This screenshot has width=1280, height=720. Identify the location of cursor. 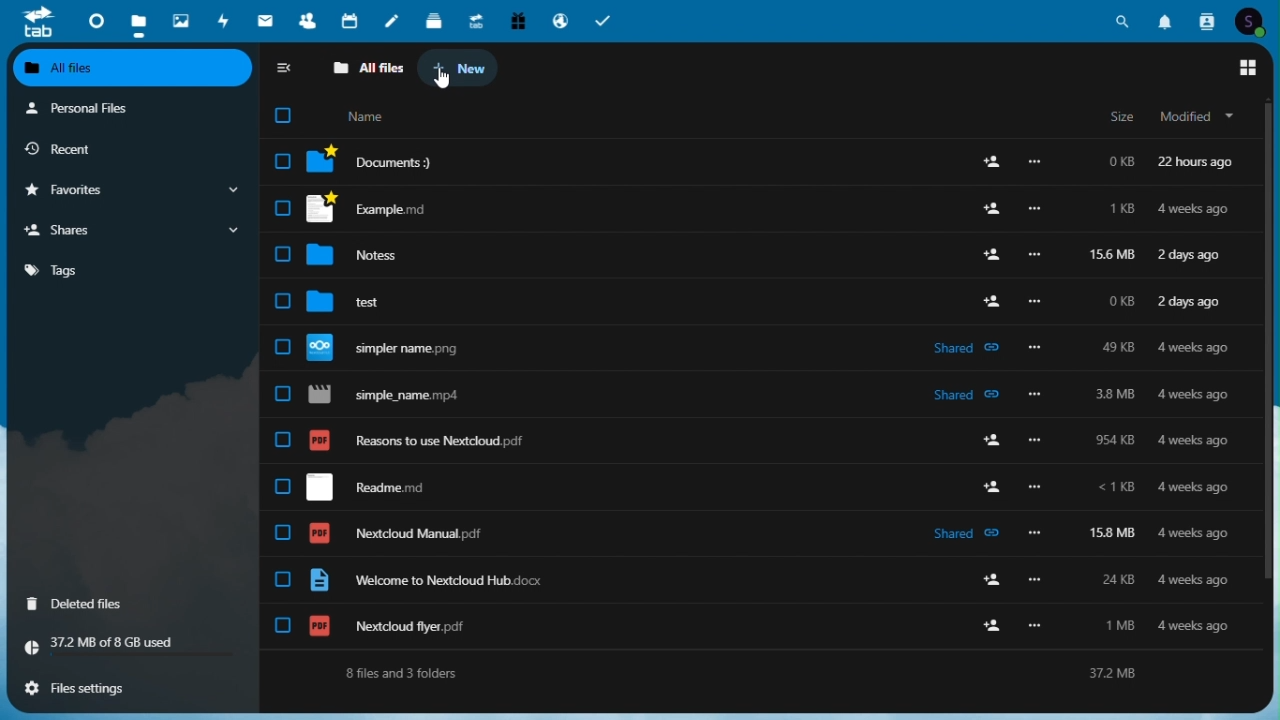
(442, 81).